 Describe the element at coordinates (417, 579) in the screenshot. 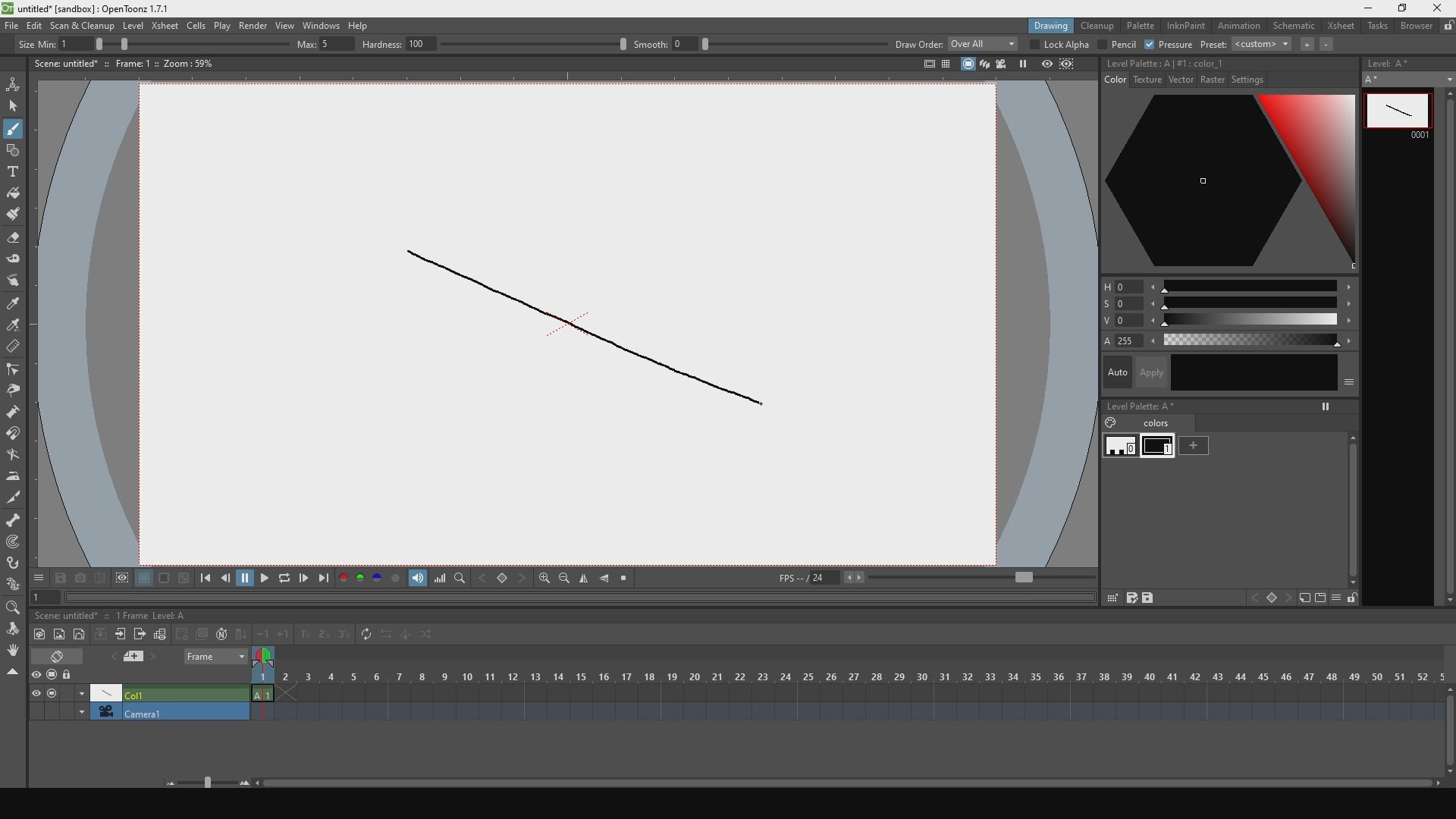

I see `show volume` at that location.